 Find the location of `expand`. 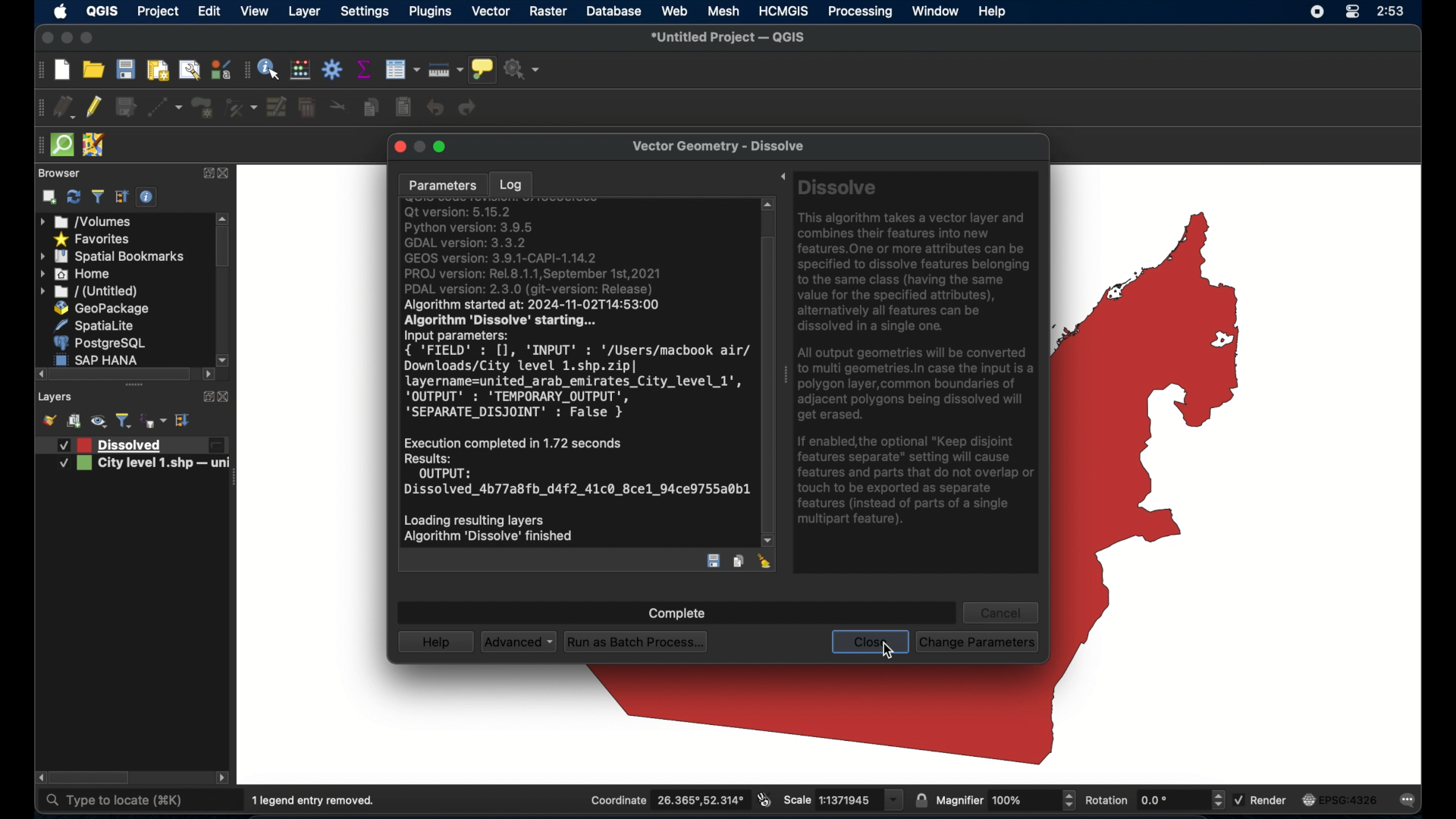

expand is located at coordinates (204, 395).